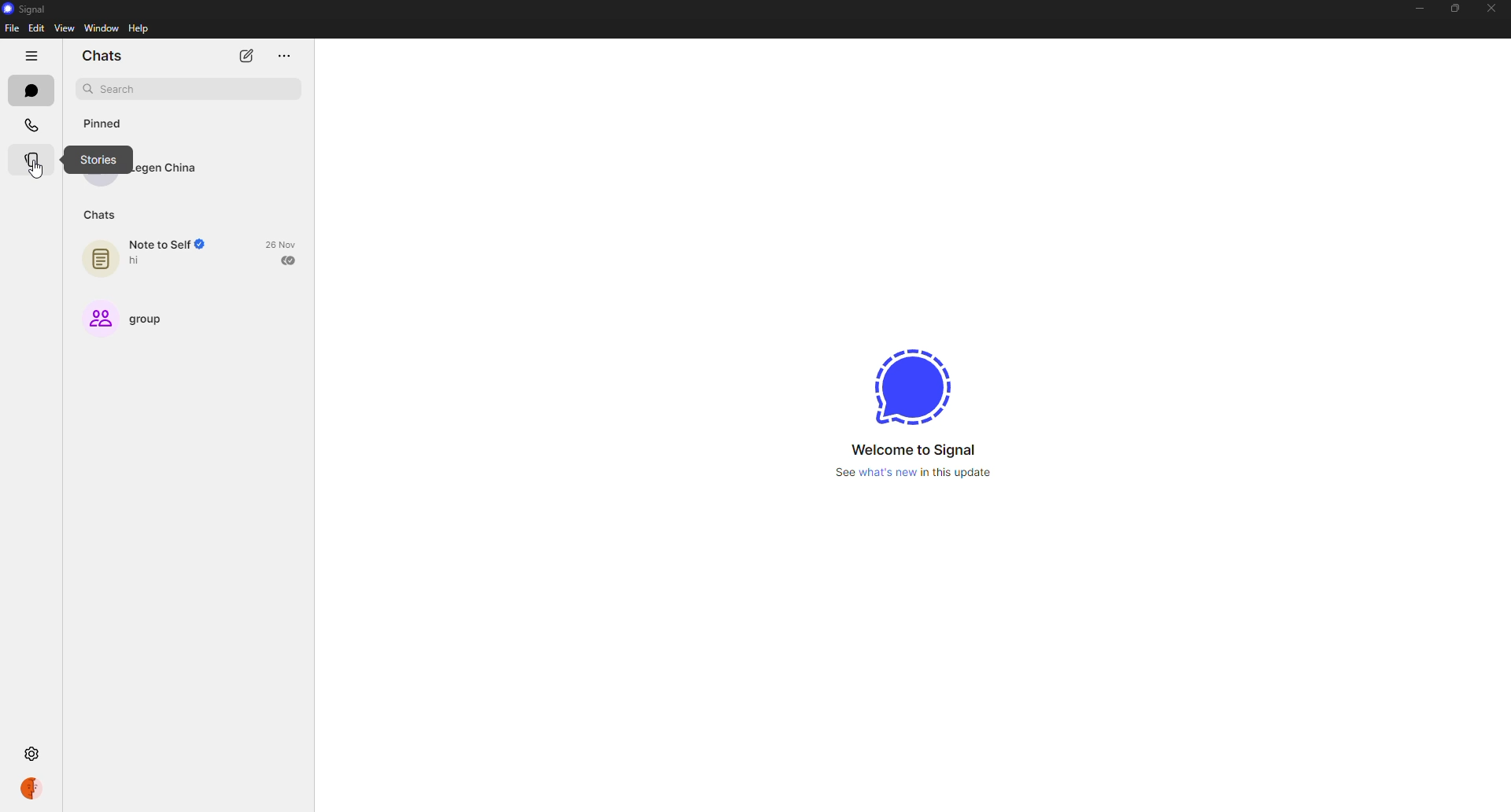 This screenshot has height=812, width=1511. I want to click on settings, so click(33, 754).